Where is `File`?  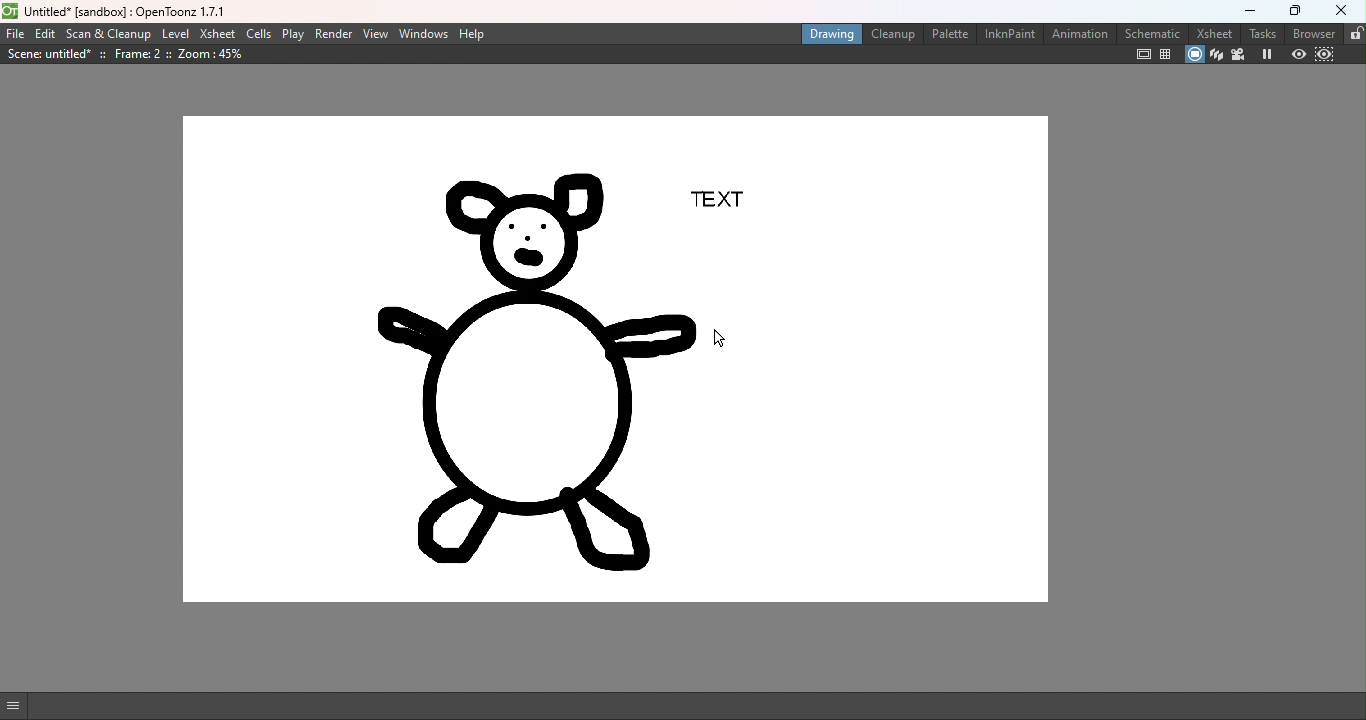
File is located at coordinates (15, 31).